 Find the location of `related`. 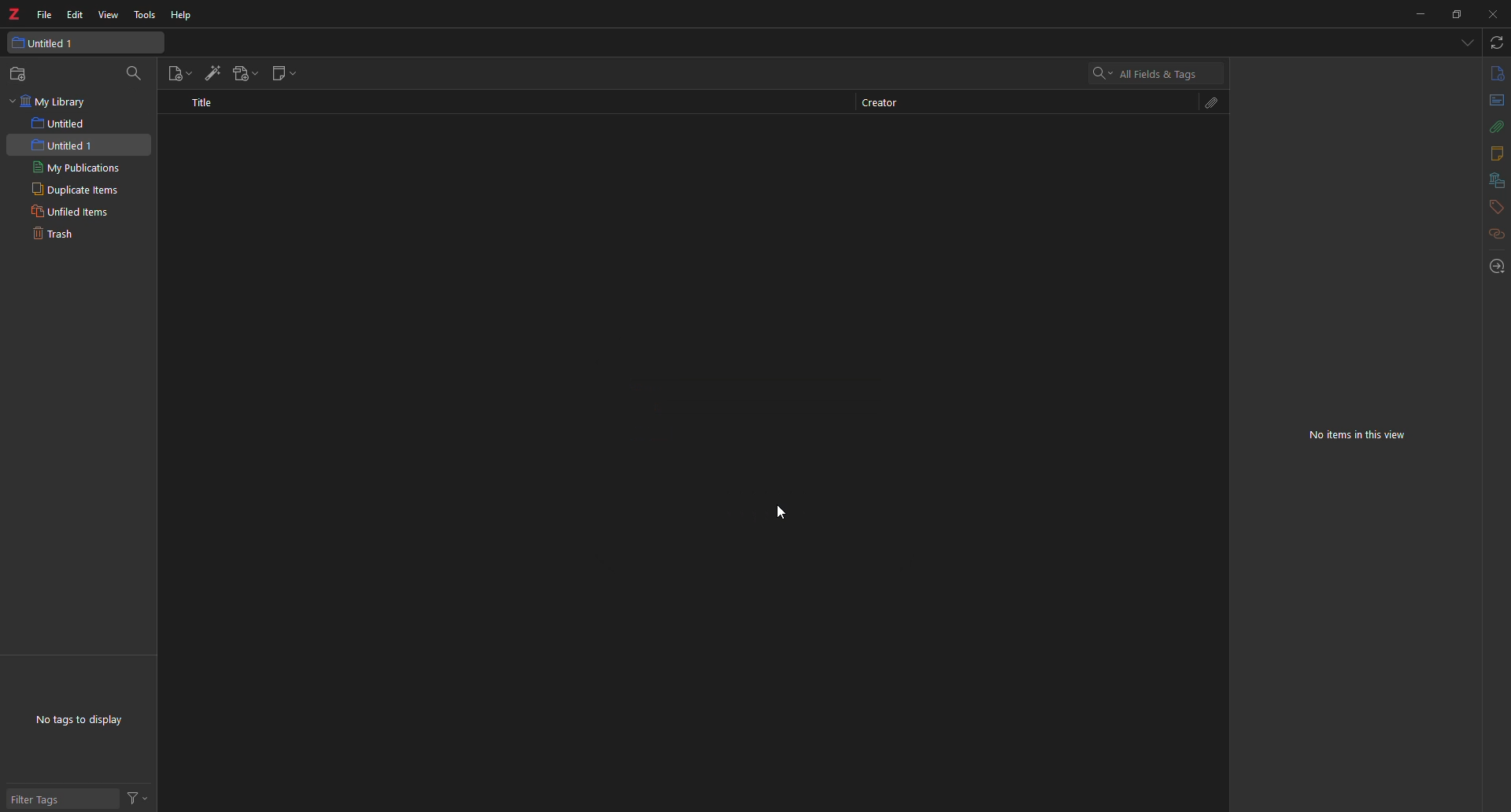

related is located at coordinates (1488, 238).